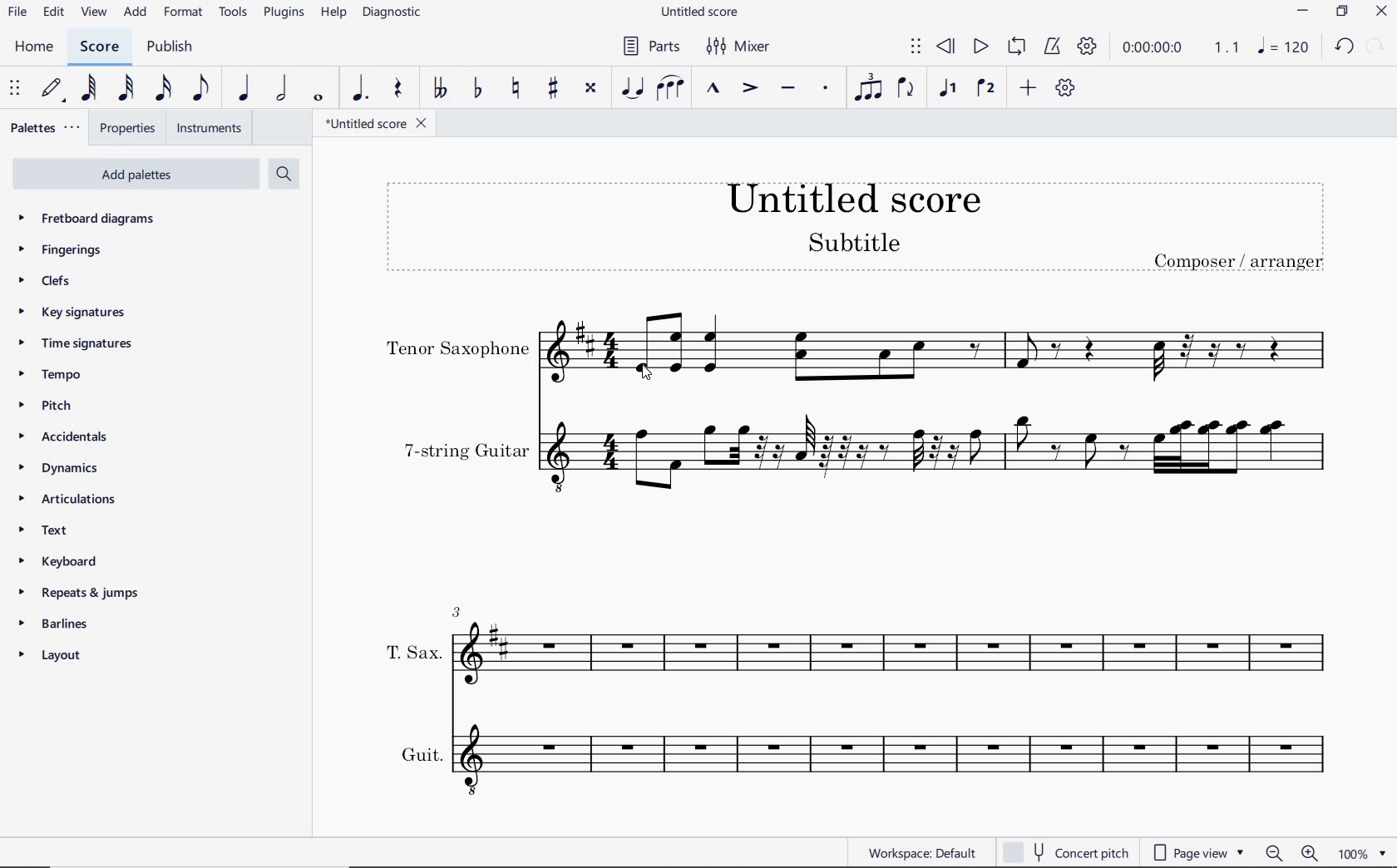  Describe the element at coordinates (81, 595) in the screenshot. I see `REPEATS & JUMPS` at that location.